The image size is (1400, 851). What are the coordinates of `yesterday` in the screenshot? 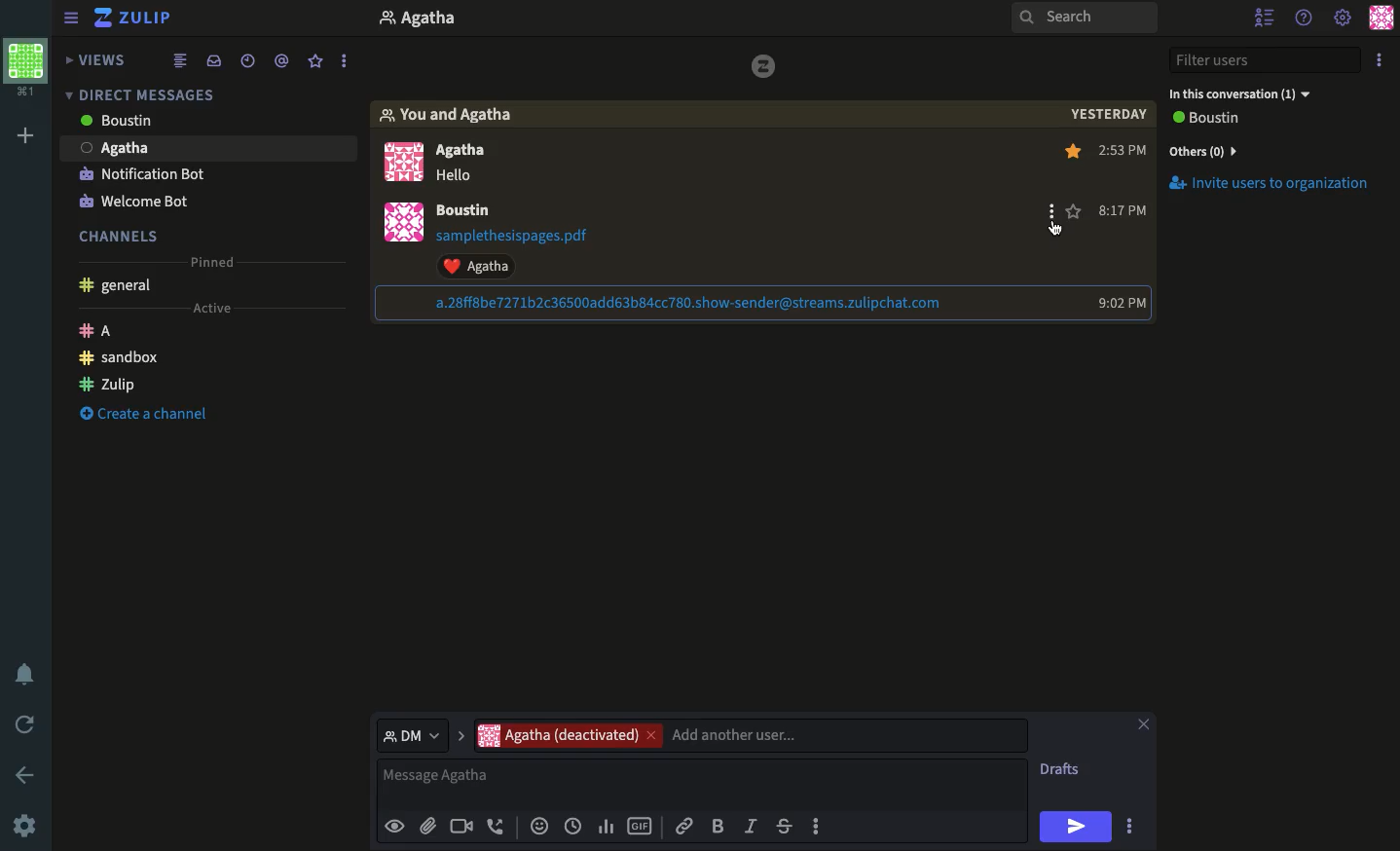 It's located at (1106, 116).